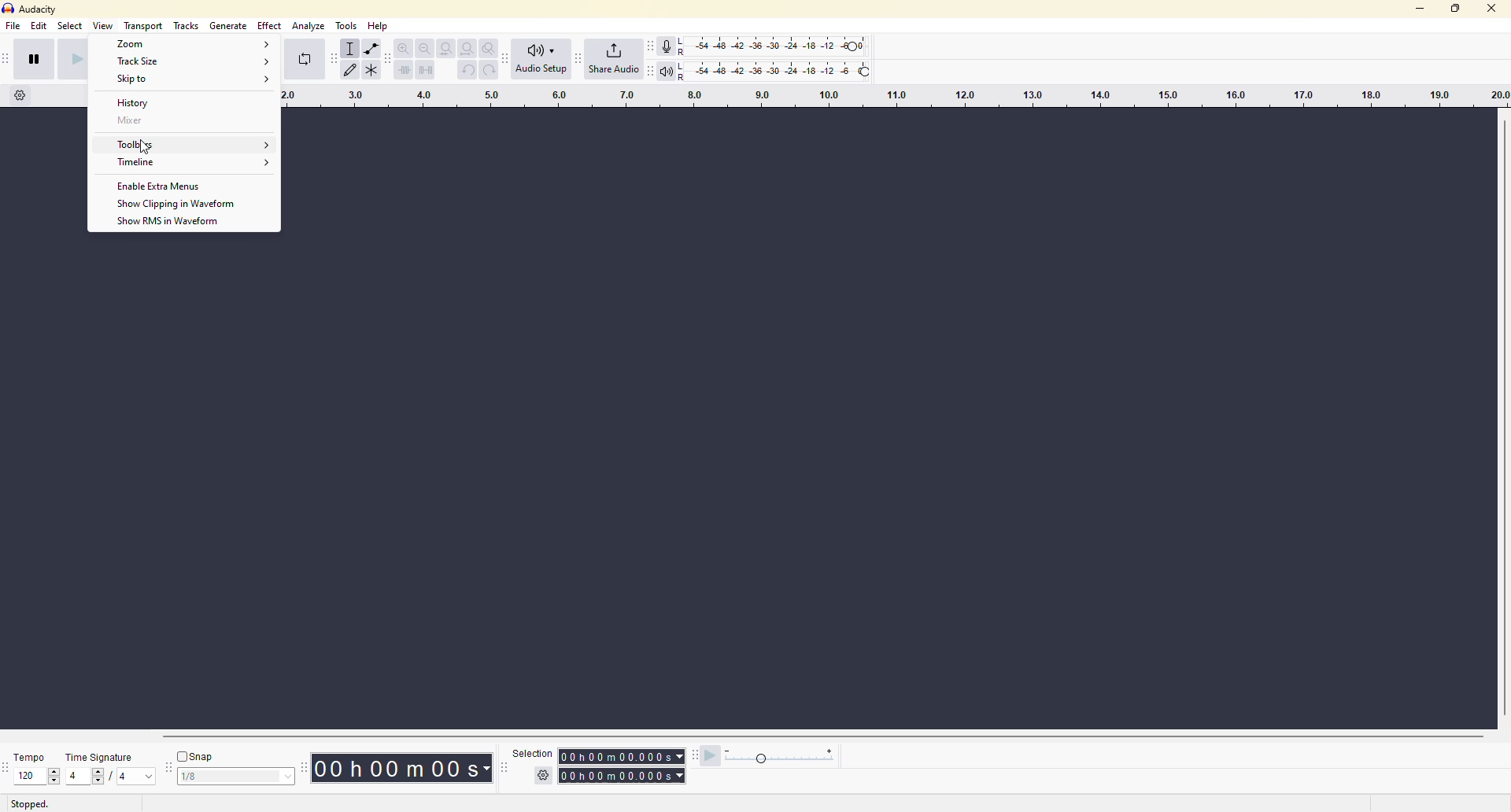 The height and width of the screenshot is (812, 1511). I want to click on play meter toolbar, so click(650, 71).